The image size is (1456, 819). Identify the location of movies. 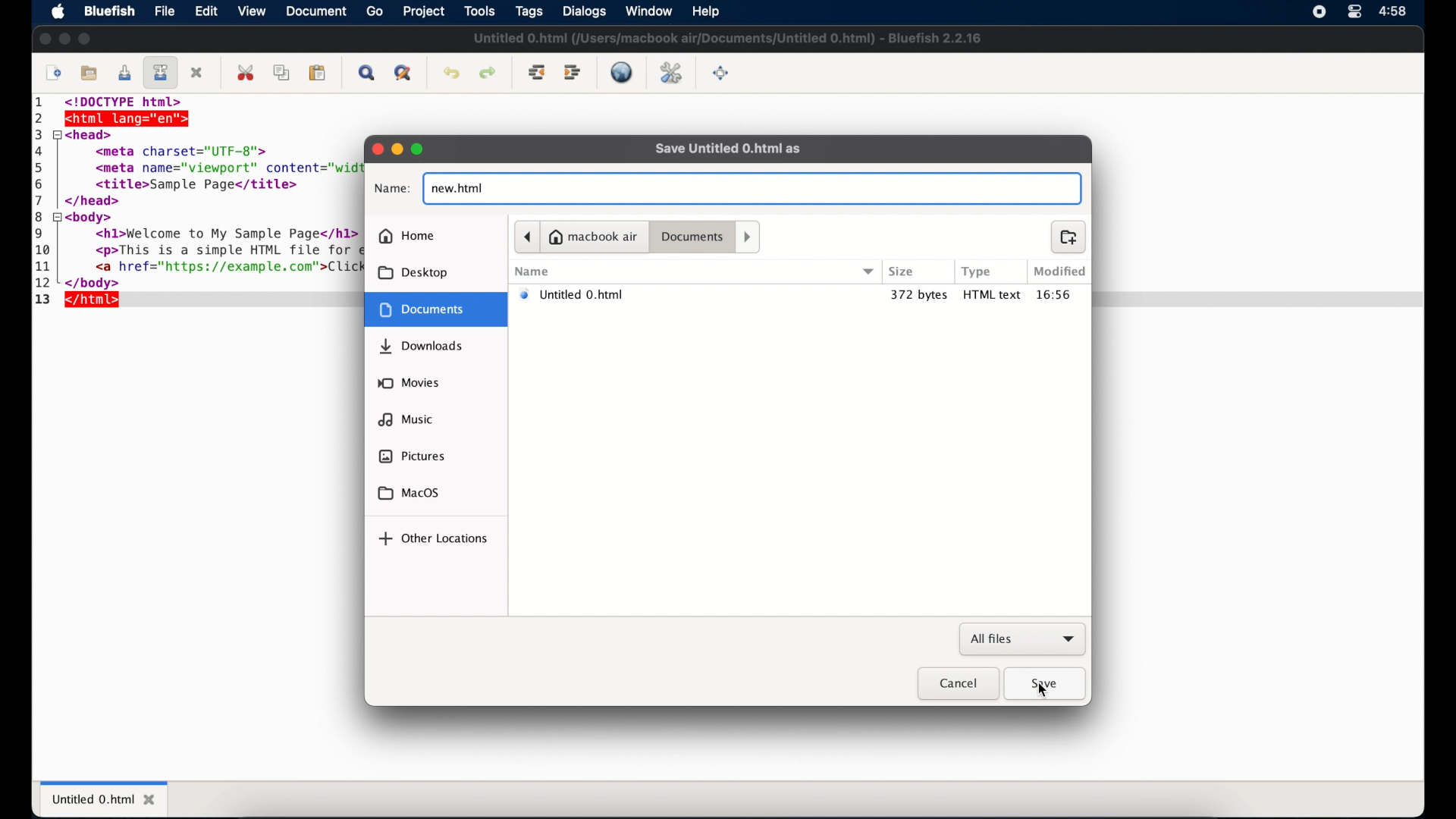
(409, 383).